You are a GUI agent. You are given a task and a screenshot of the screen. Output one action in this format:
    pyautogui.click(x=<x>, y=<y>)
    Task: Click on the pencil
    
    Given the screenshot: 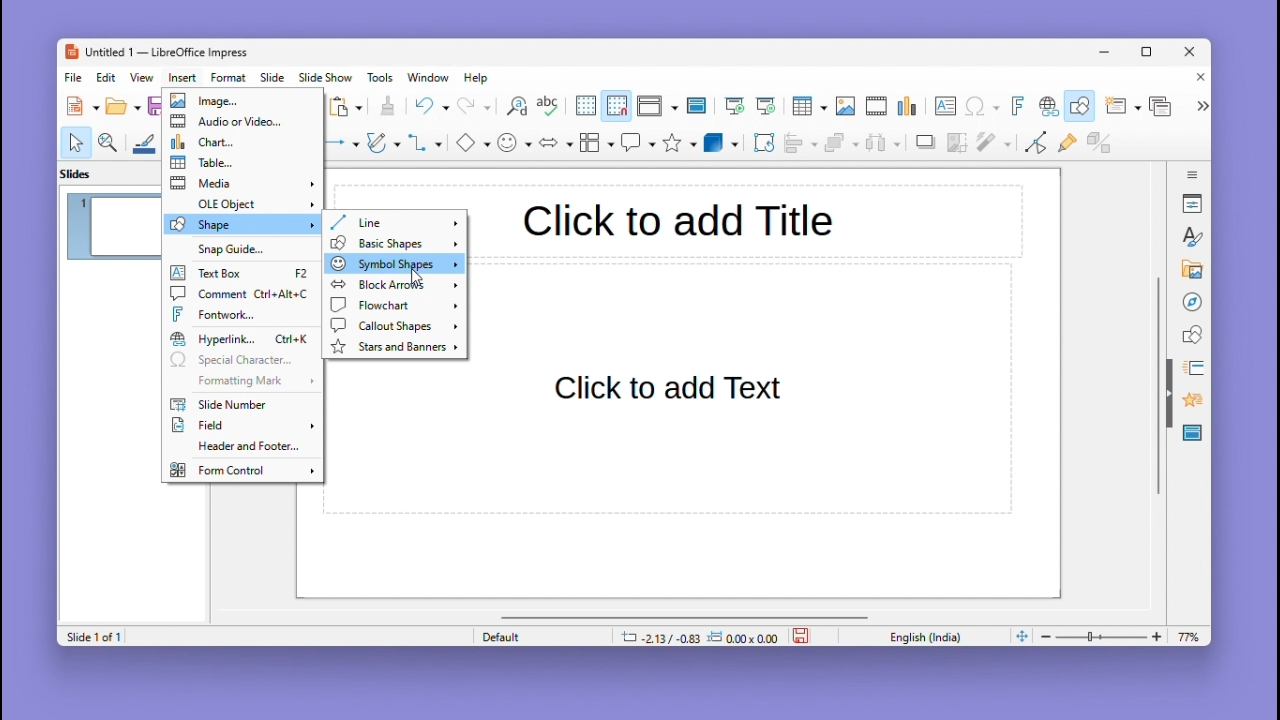 What is the action you would take?
    pyautogui.click(x=383, y=145)
    